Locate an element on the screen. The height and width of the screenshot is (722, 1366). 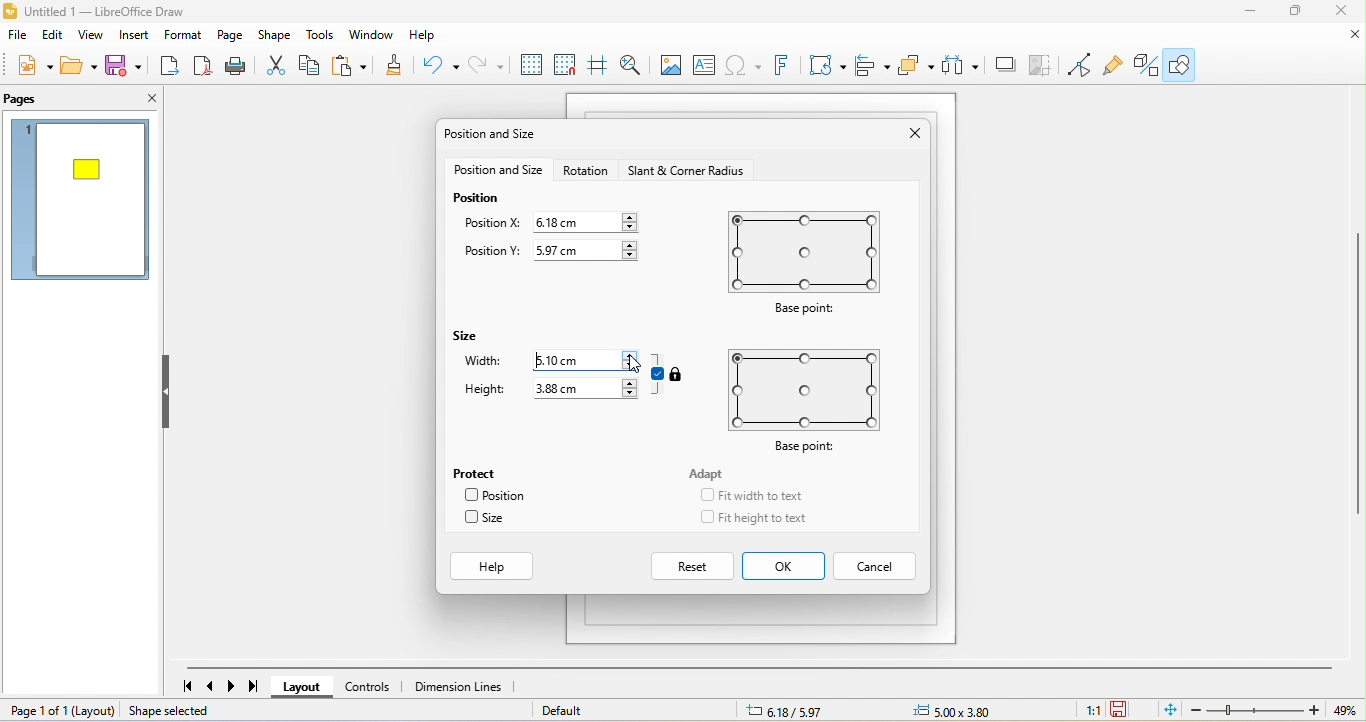
cancel is located at coordinates (874, 565).